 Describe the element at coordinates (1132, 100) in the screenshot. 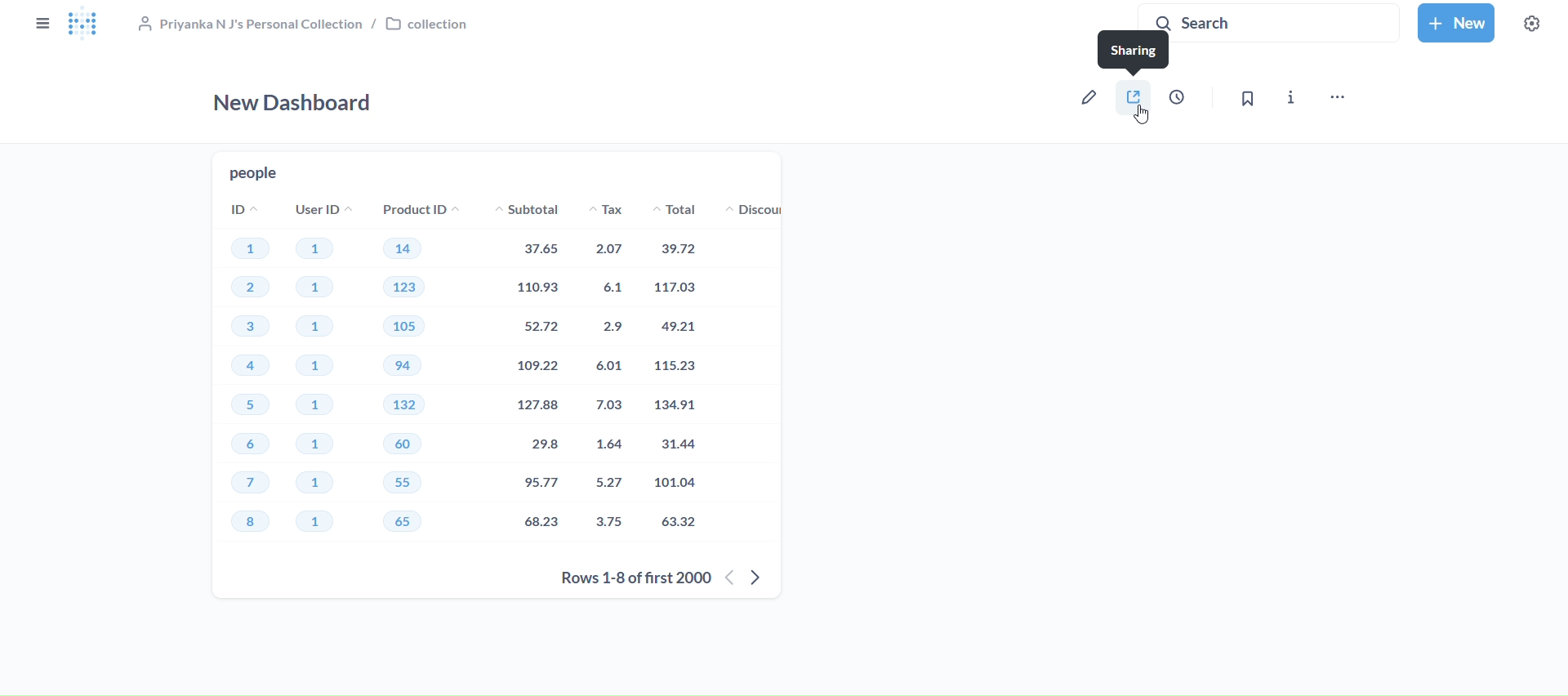

I see `sharing` at that location.